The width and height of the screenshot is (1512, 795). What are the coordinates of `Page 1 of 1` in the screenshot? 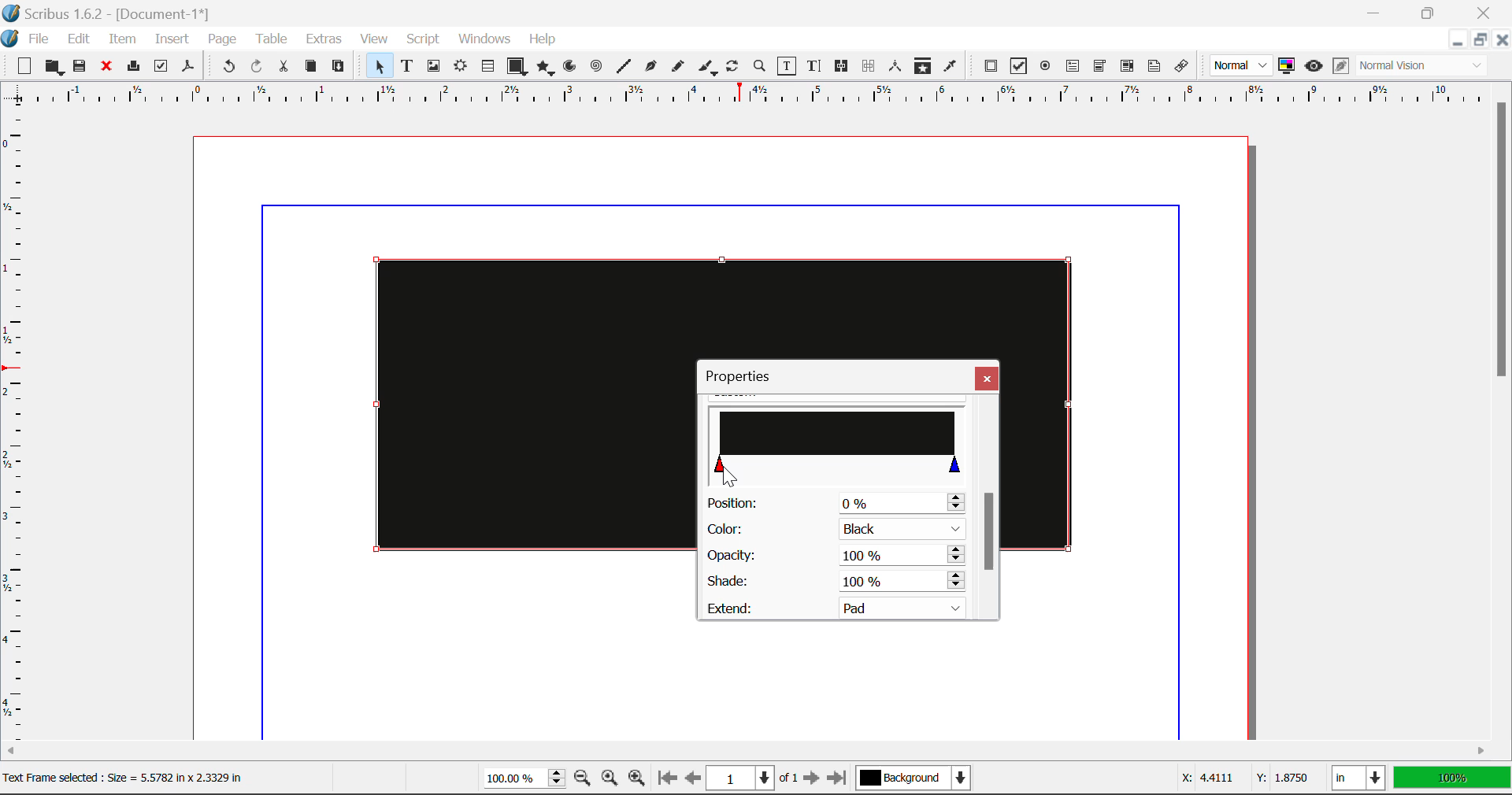 It's located at (752, 780).